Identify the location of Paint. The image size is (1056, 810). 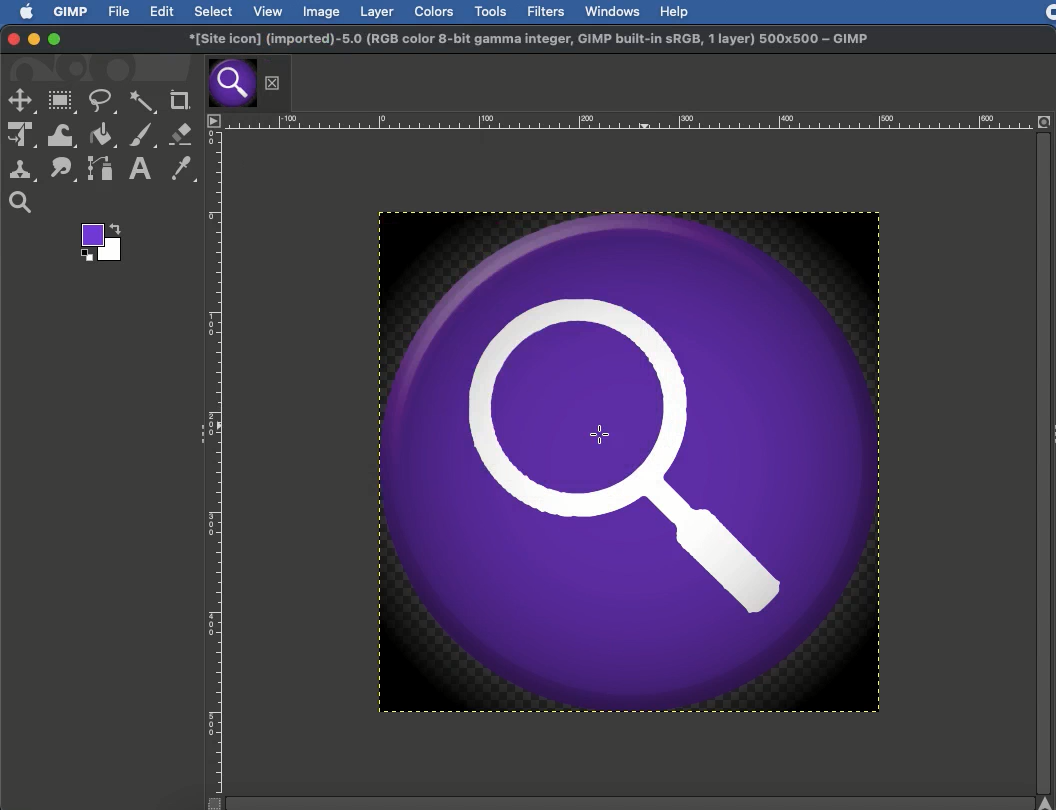
(144, 135).